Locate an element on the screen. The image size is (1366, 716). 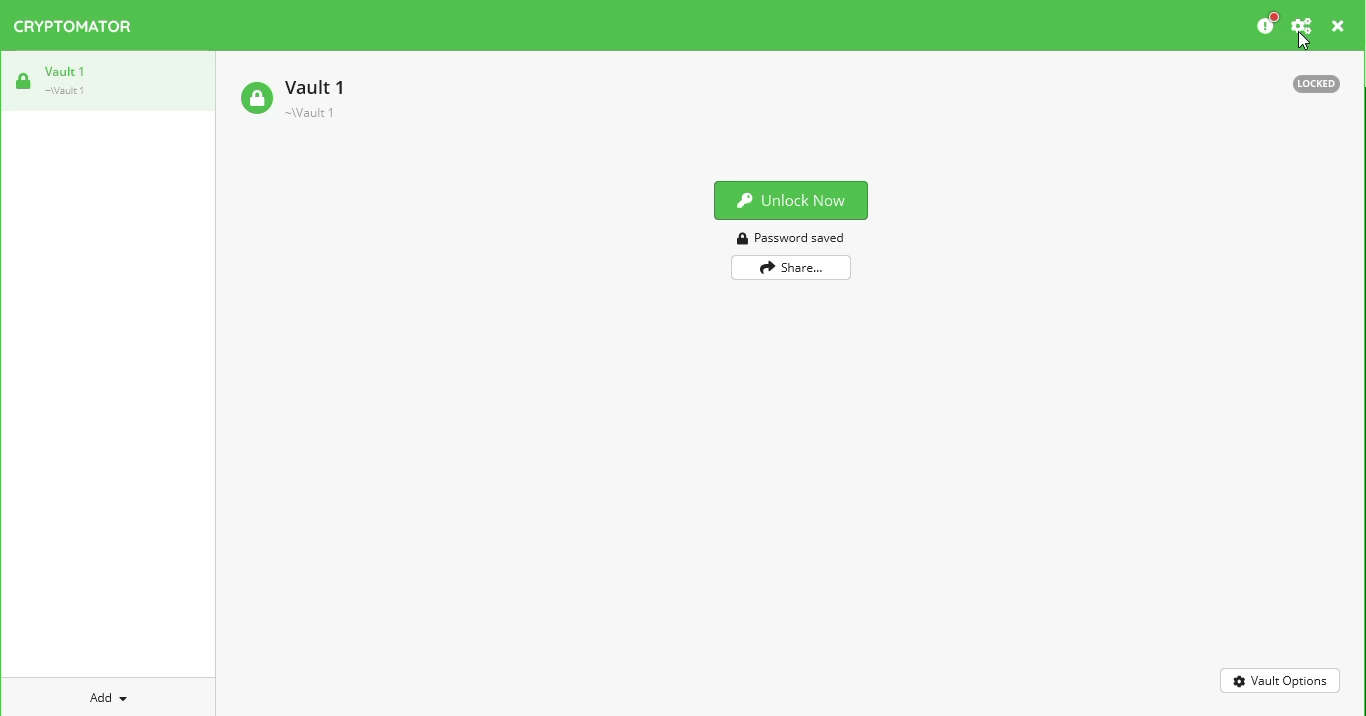
vault 1 is located at coordinates (302, 96).